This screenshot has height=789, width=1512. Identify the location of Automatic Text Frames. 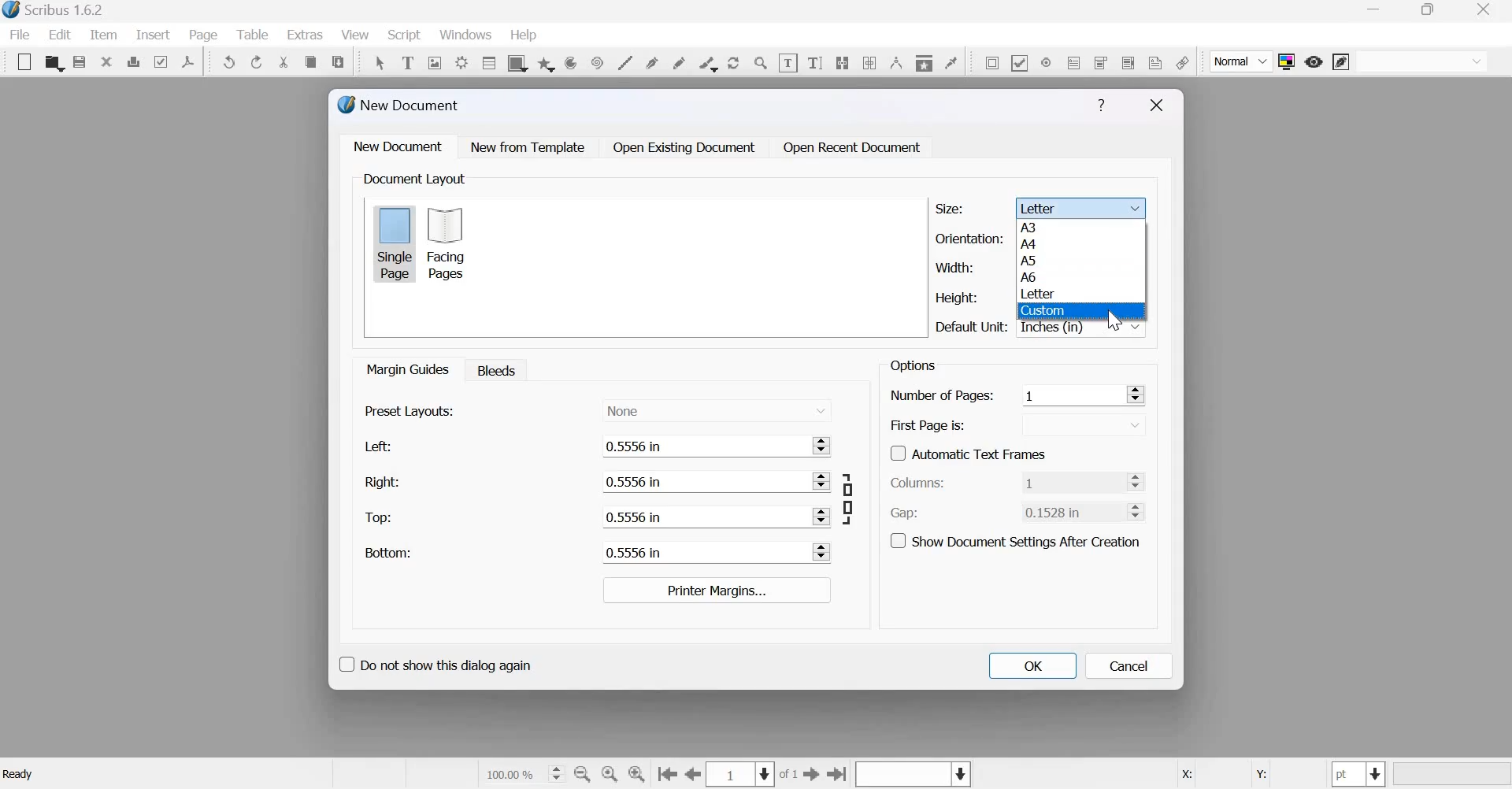
(969, 452).